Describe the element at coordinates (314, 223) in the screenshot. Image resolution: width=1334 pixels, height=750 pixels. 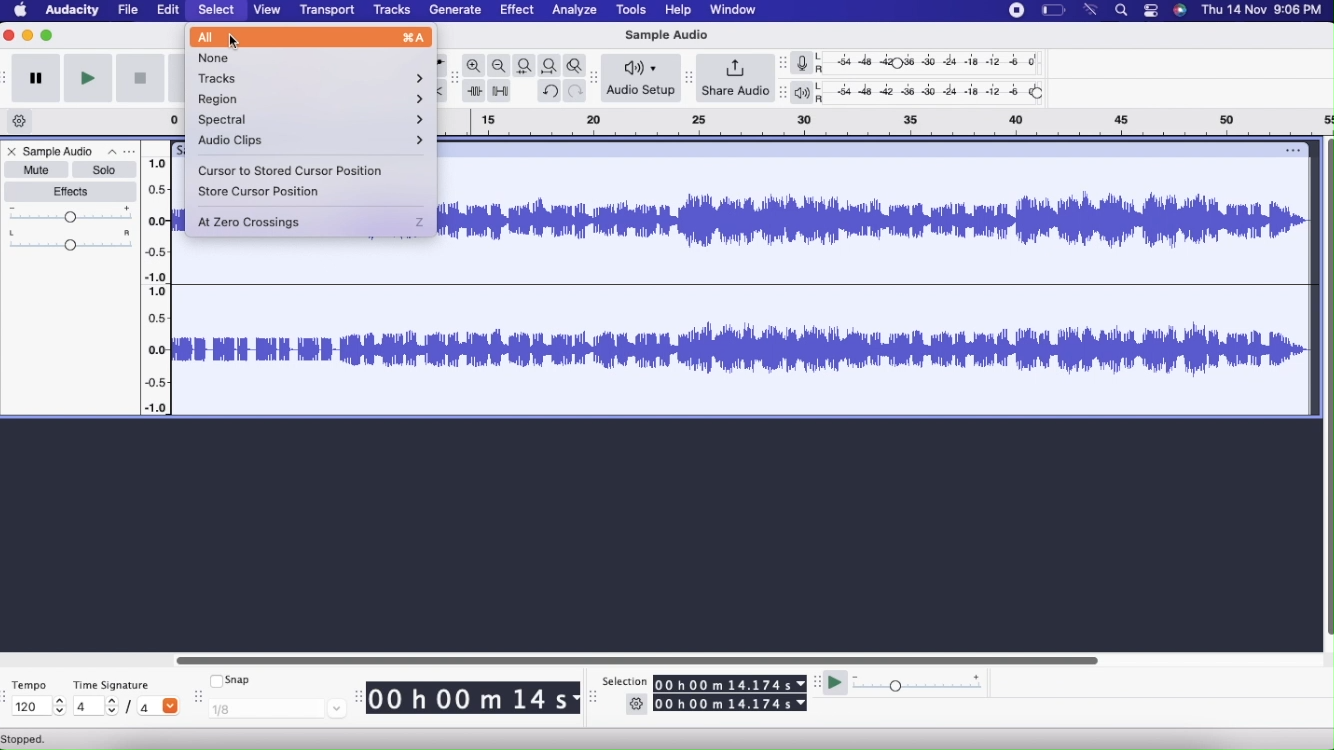
I see `At Zero crossings` at that location.